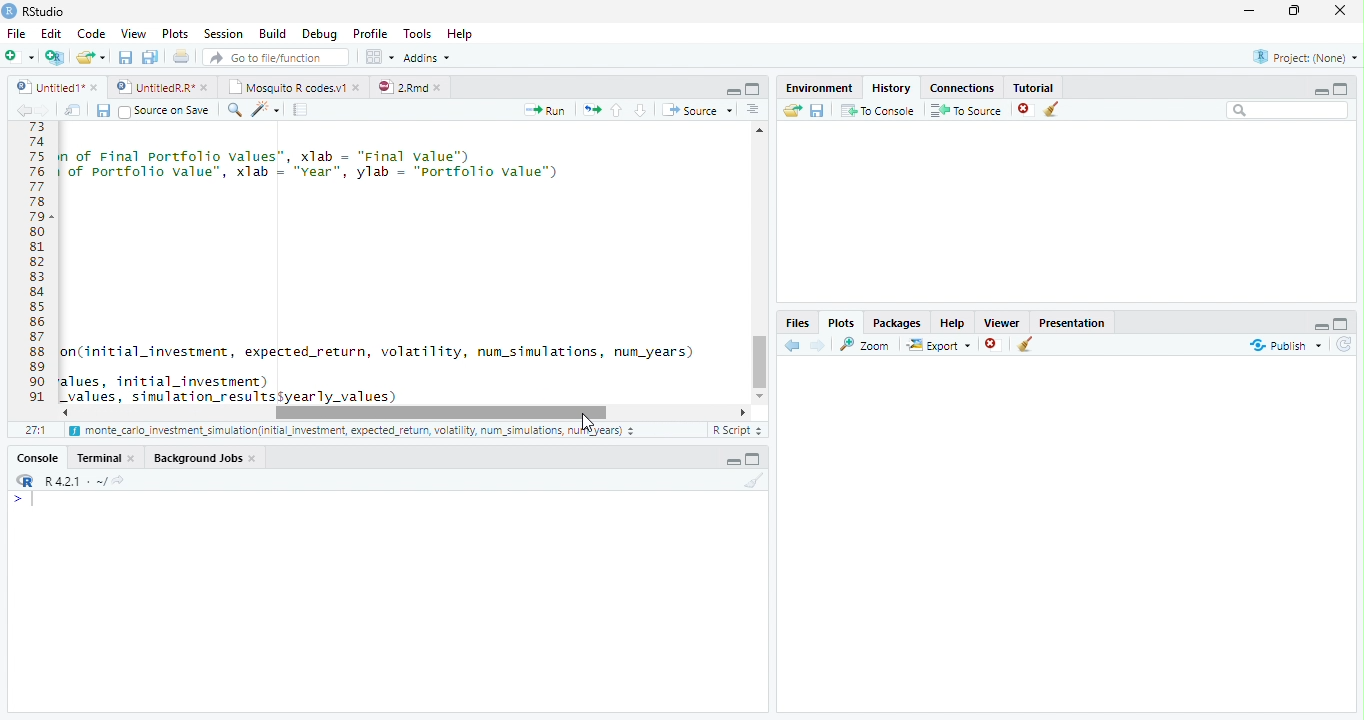 This screenshot has height=720, width=1364. Describe the element at coordinates (546, 110) in the screenshot. I see `Run` at that location.